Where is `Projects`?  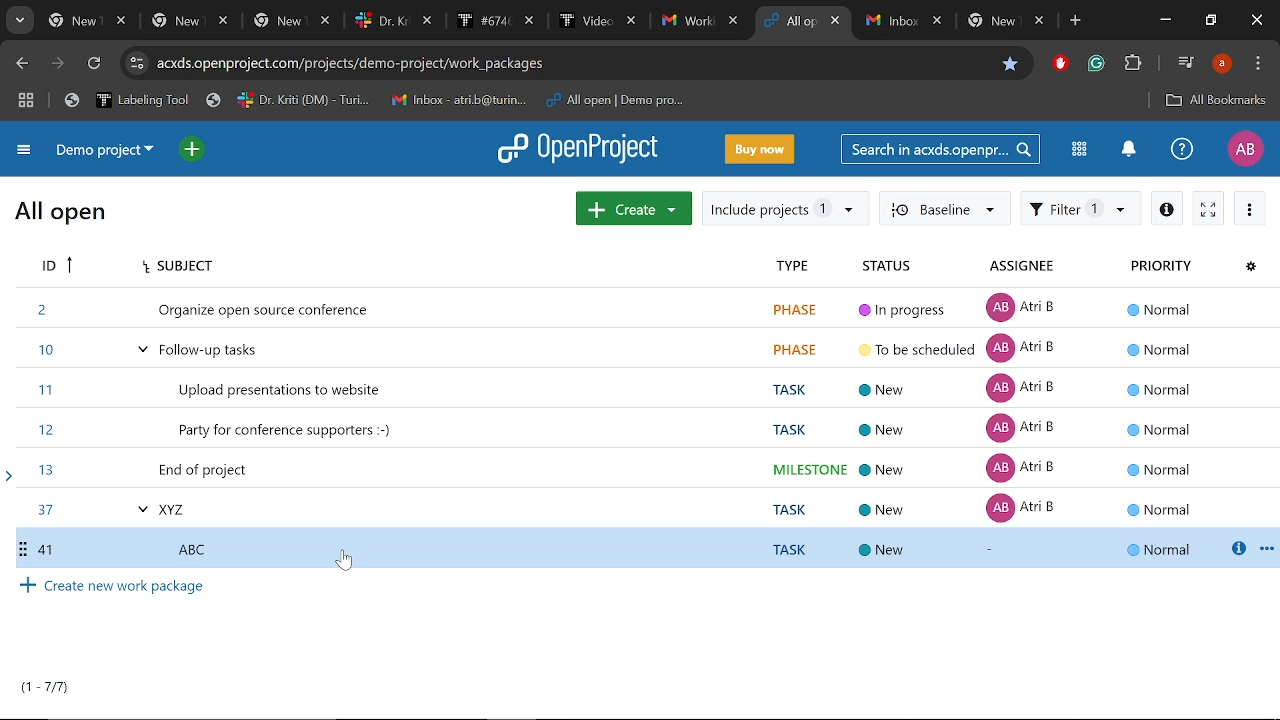 Projects is located at coordinates (234, 410).